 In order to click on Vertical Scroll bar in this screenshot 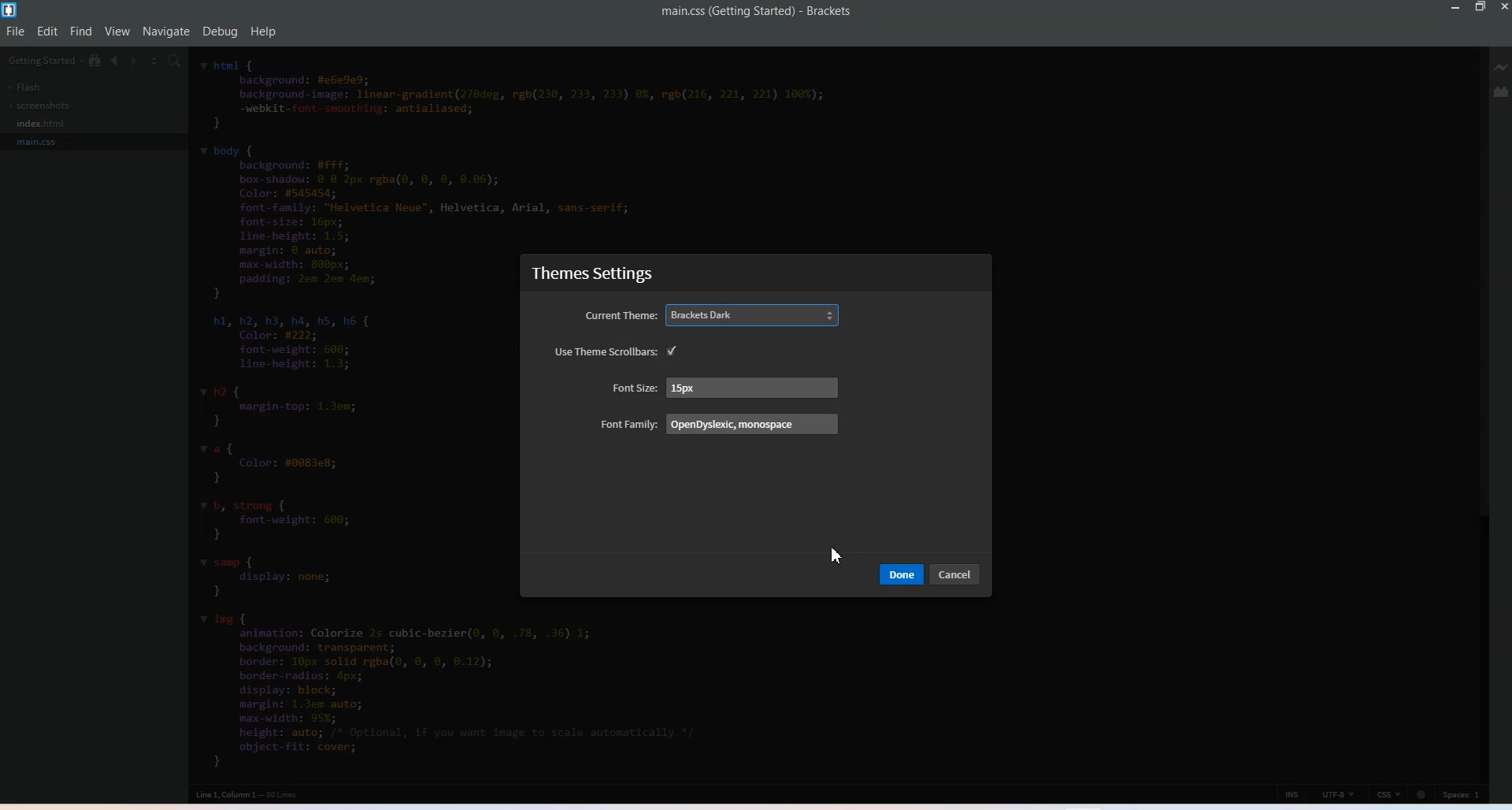, I will do `click(1481, 411)`.